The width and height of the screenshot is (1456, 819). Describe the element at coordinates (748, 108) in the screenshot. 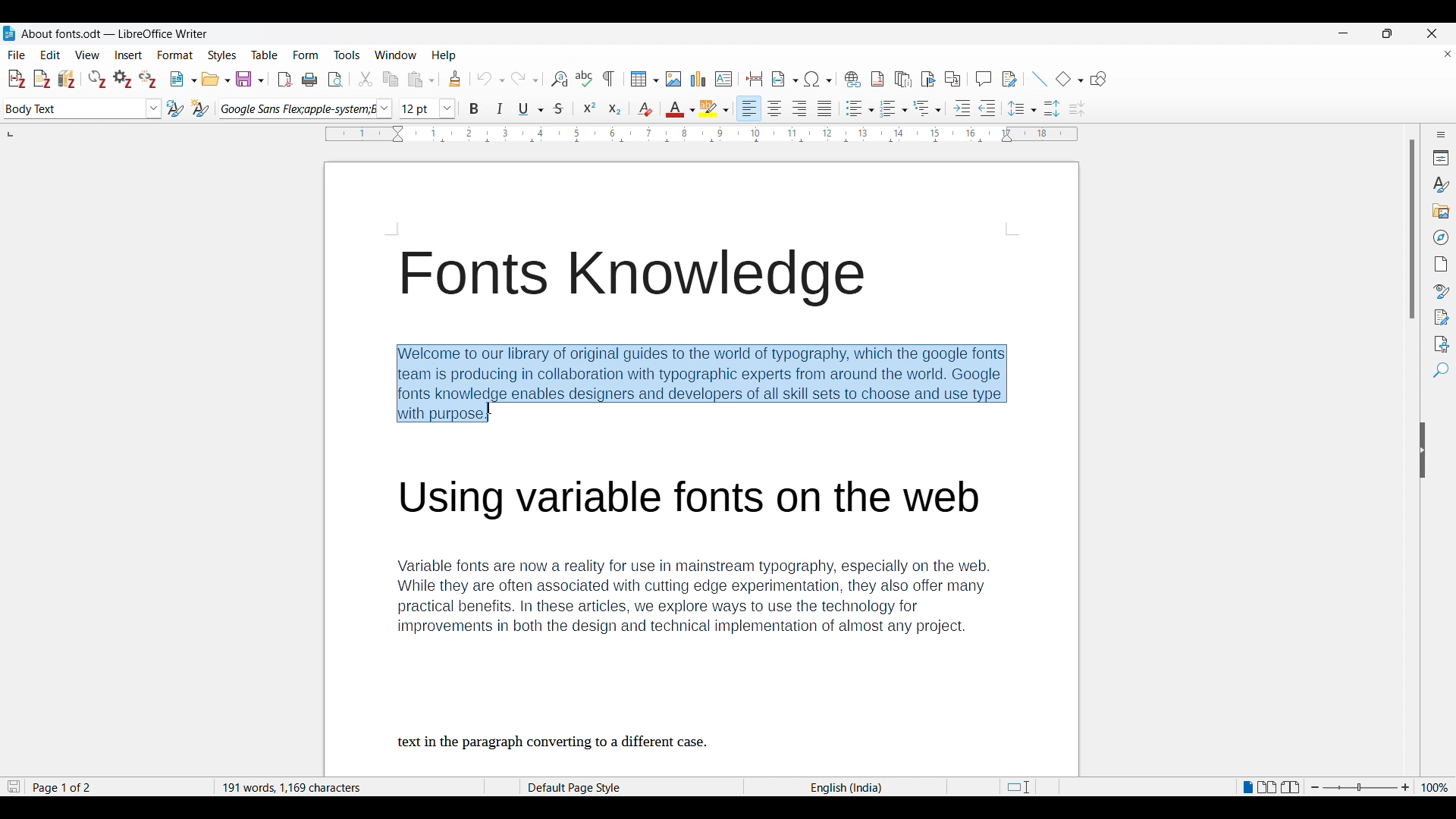

I see `Left alignment` at that location.